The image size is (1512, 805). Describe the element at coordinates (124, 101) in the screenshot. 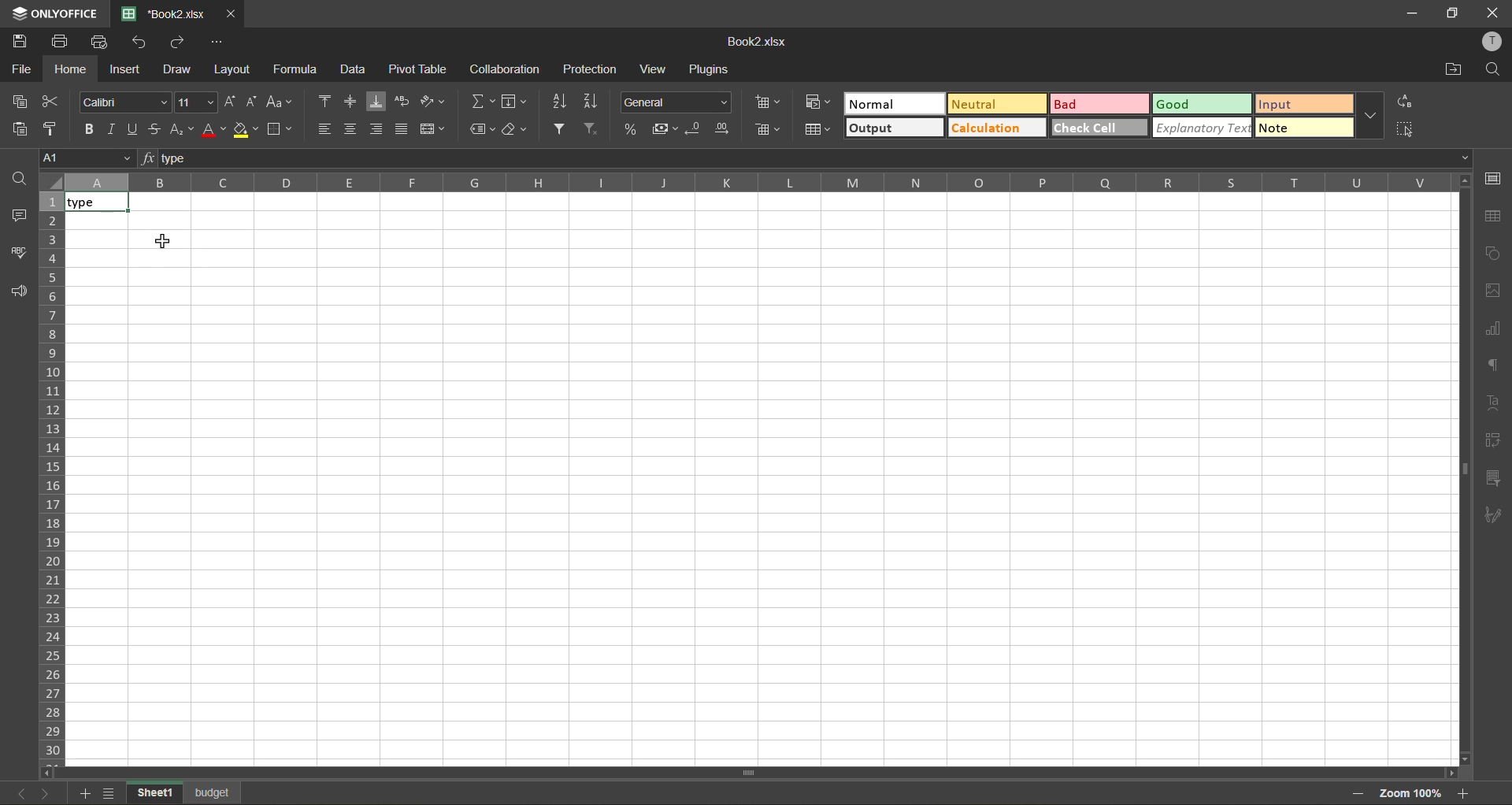

I see `font style` at that location.